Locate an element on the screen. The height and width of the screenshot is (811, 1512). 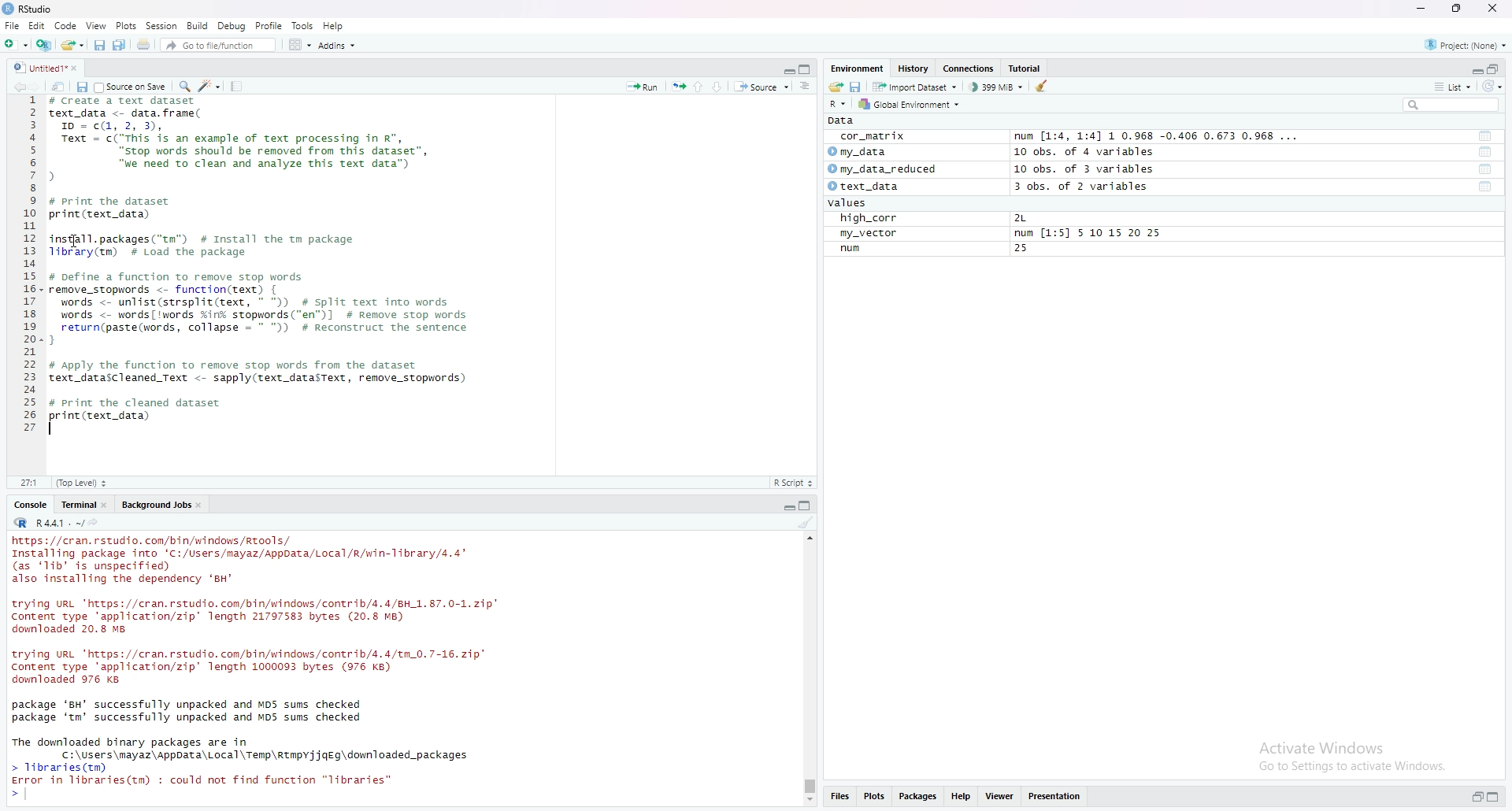
history is located at coordinates (914, 69).